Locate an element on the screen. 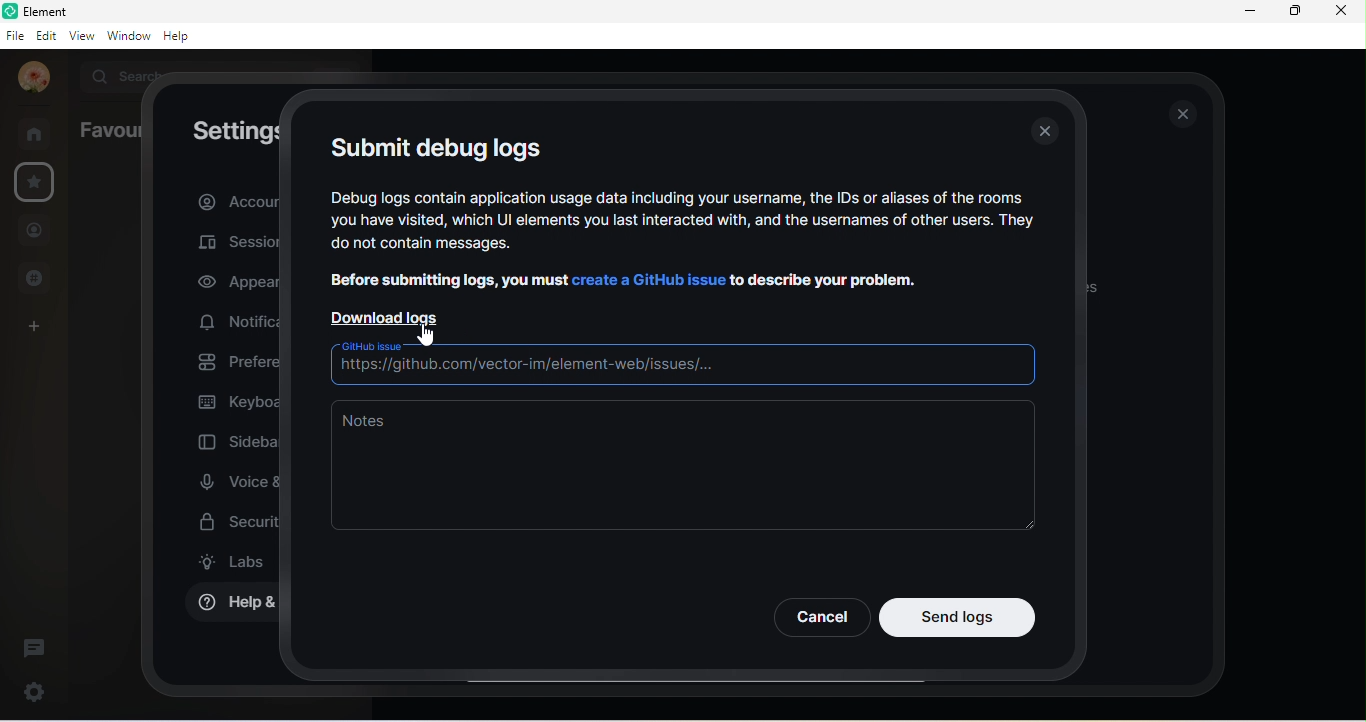  create a space is located at coordinates (42, 324).